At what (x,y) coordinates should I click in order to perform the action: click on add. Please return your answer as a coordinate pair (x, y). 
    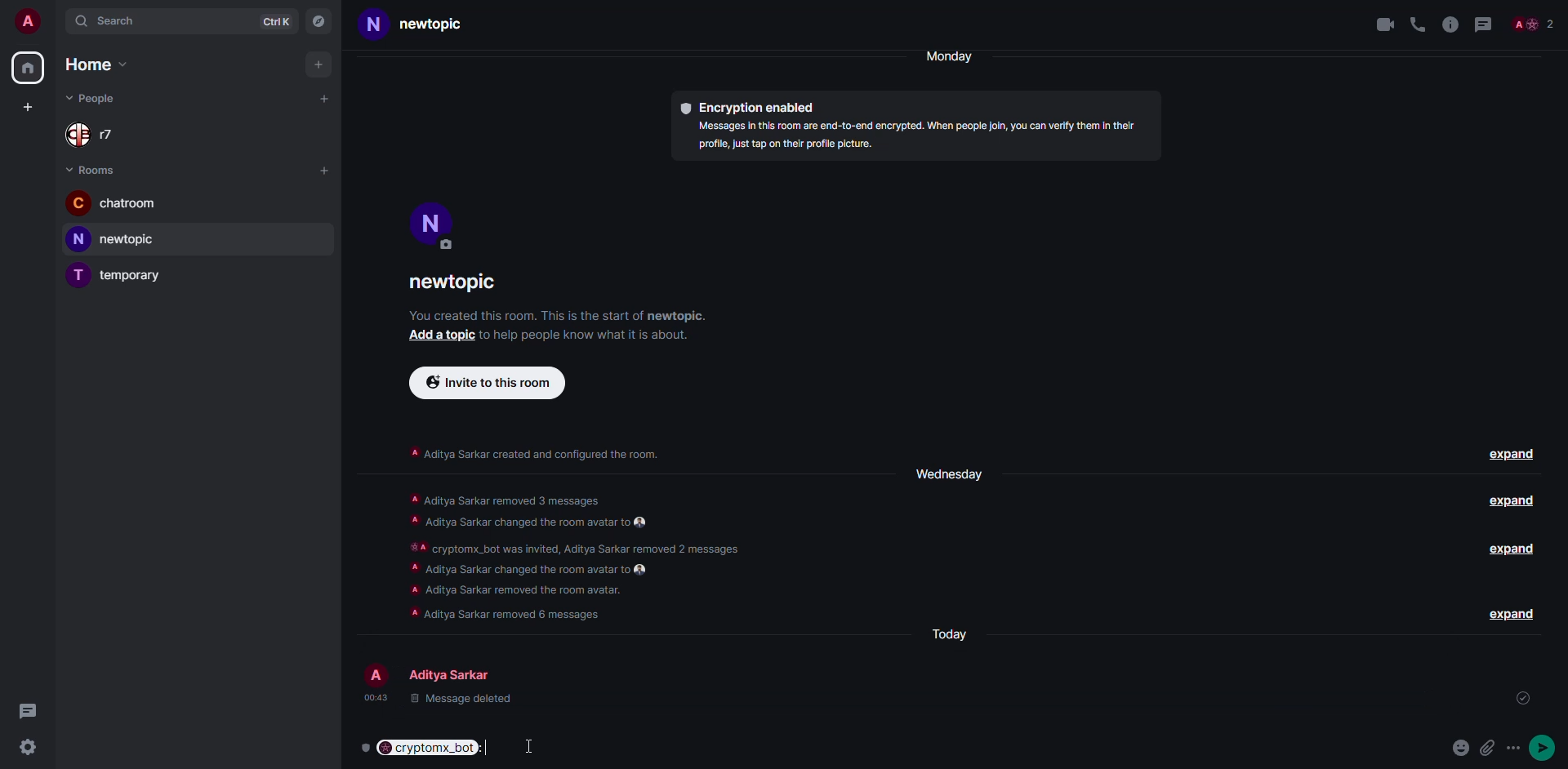
    Looking at the image, I should click on (438, 335).